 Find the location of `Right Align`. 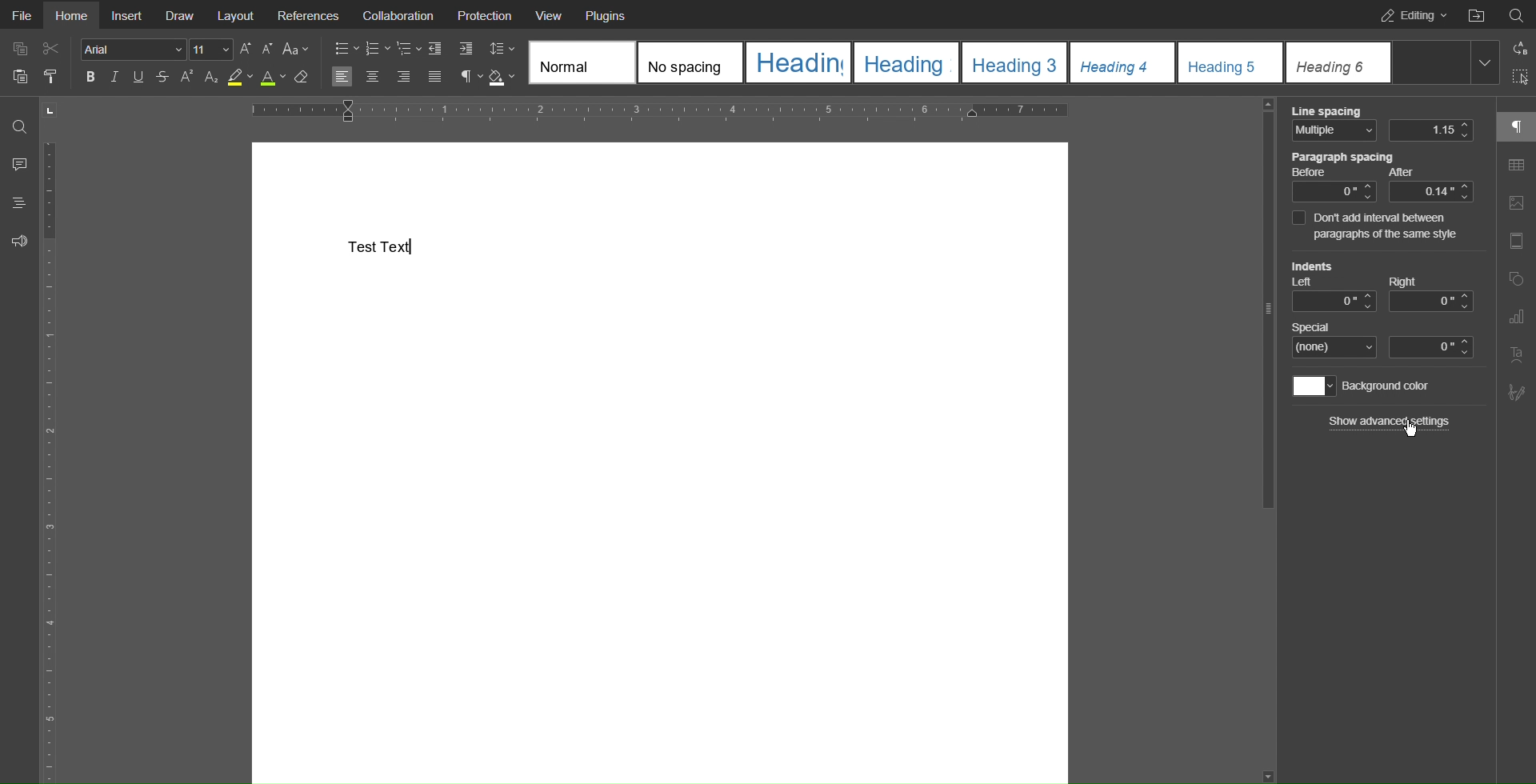

Right Align is located at coordinates (405, 78).